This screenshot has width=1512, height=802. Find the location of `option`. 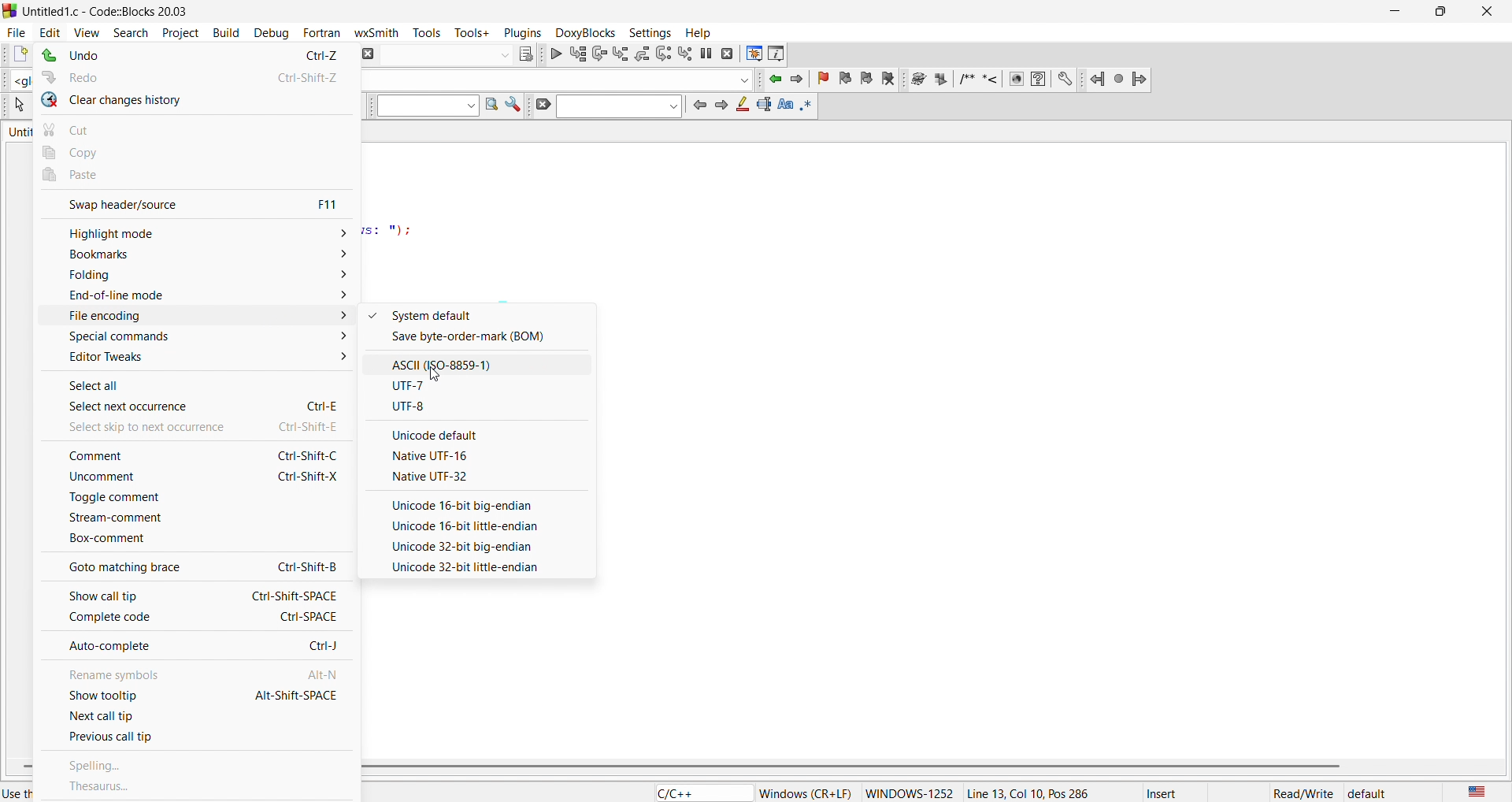

option is located at coordinates (483, 568).